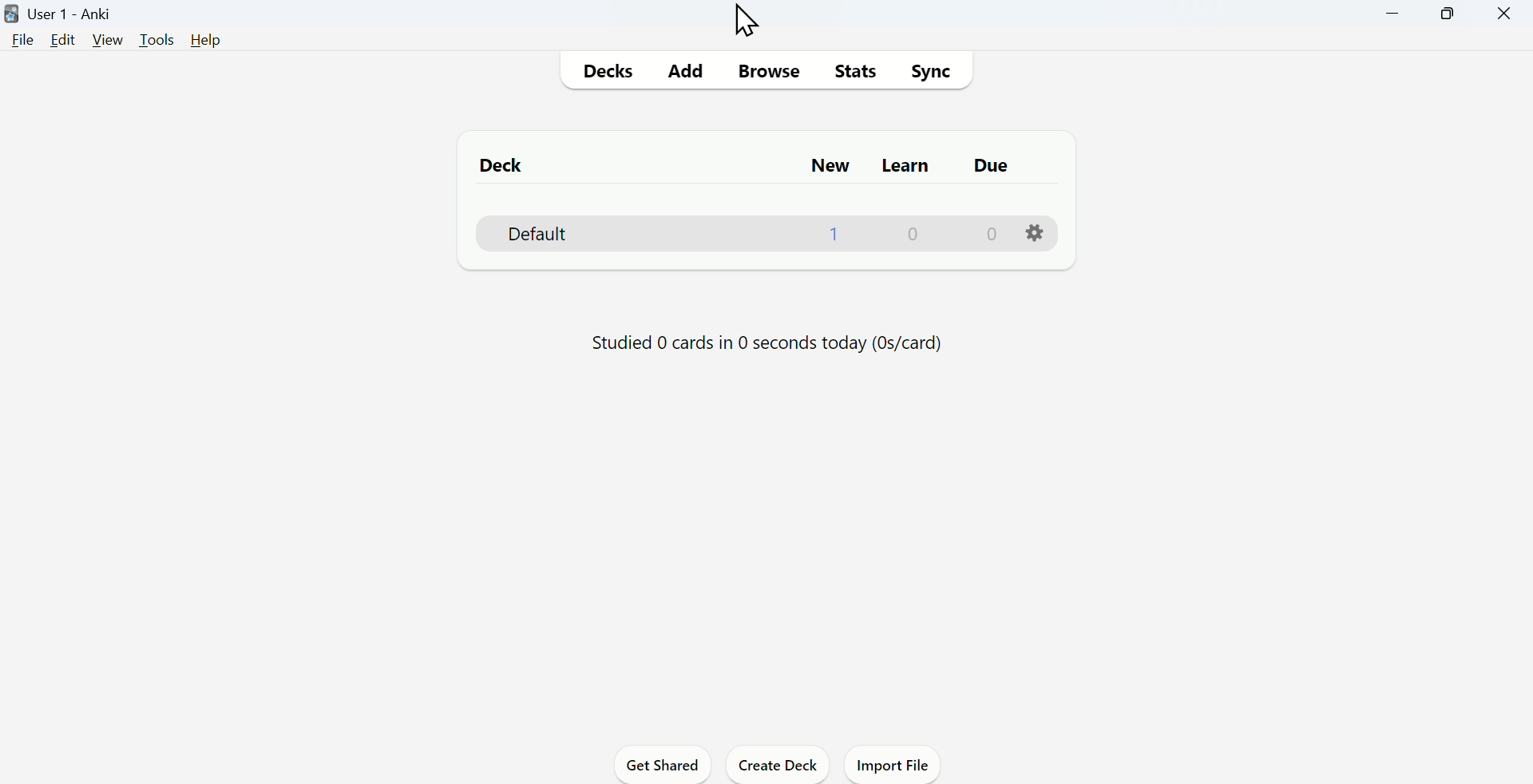 The image size is (1533, 784). What do you see at coordinates (74, 14) in the screenshot?
I see `User 1 - Anki` at bounding box center [74, 14].